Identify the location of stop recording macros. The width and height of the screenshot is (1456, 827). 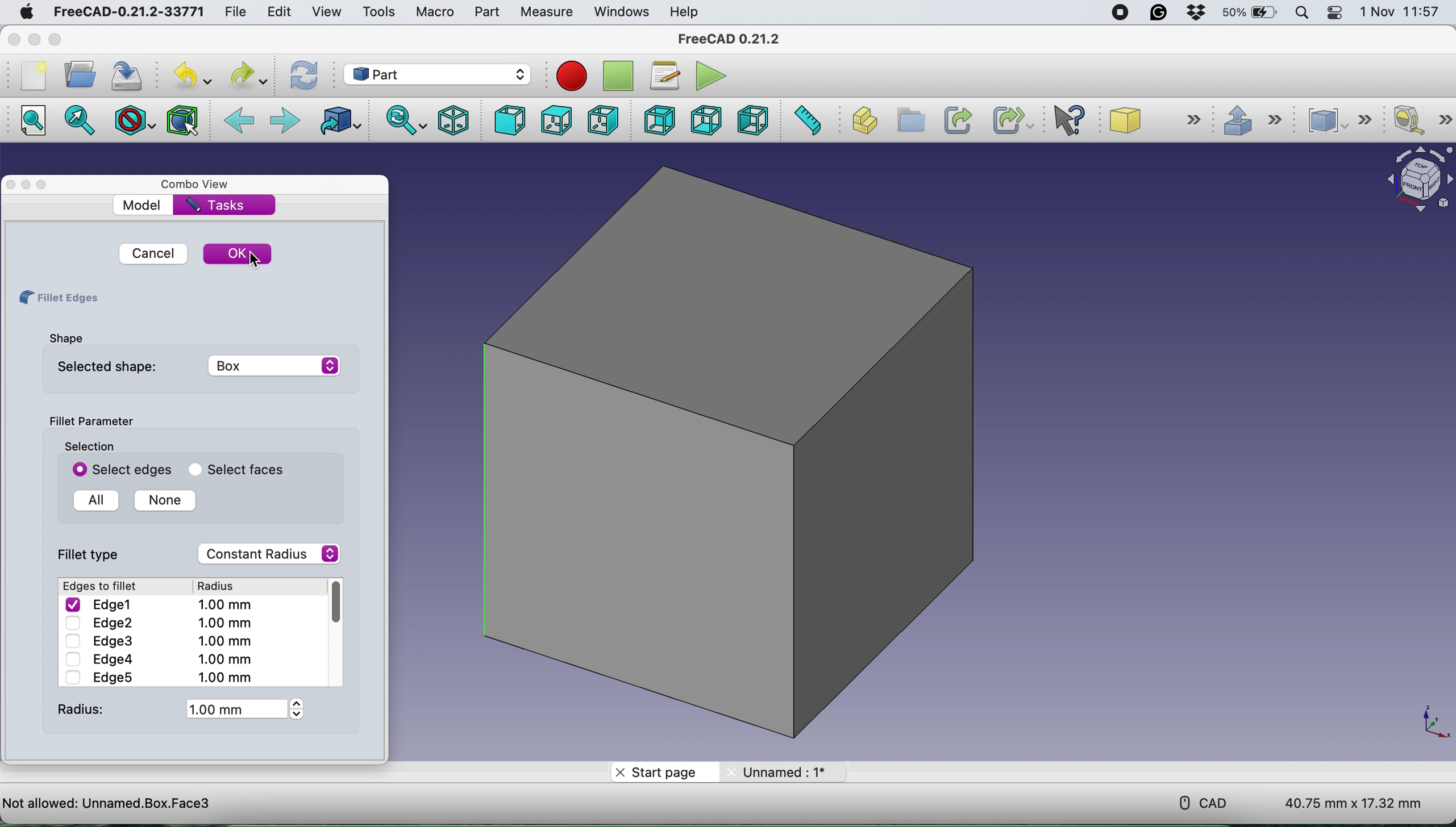
(617, 76).